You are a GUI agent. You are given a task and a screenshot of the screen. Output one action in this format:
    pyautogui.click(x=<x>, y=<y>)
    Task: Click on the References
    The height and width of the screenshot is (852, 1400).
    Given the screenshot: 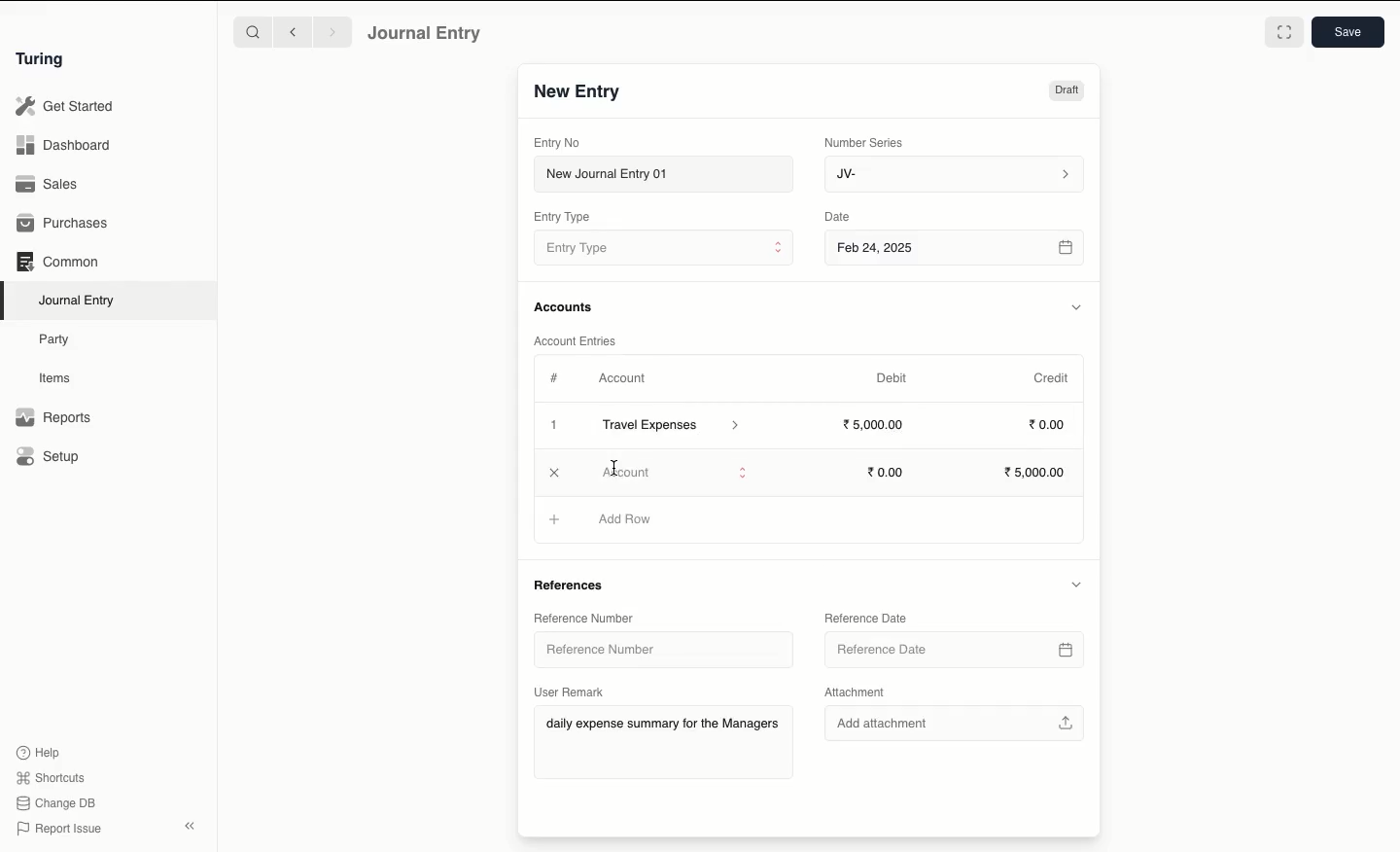 What is the action you would take?
    pyautogui.click(x=576, y=584)
    